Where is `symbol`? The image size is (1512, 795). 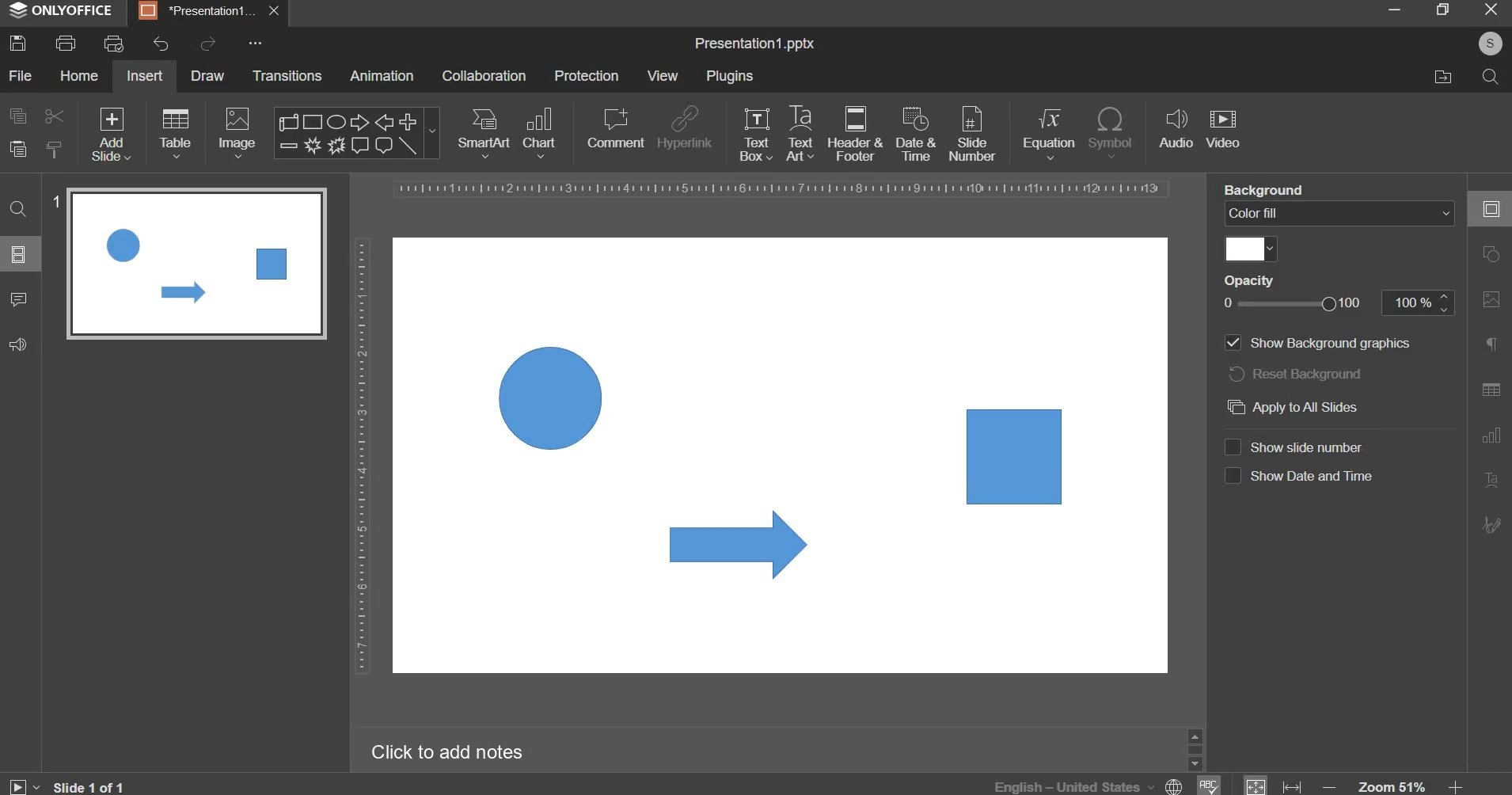
symbol is located at coordinates (1110, 131).